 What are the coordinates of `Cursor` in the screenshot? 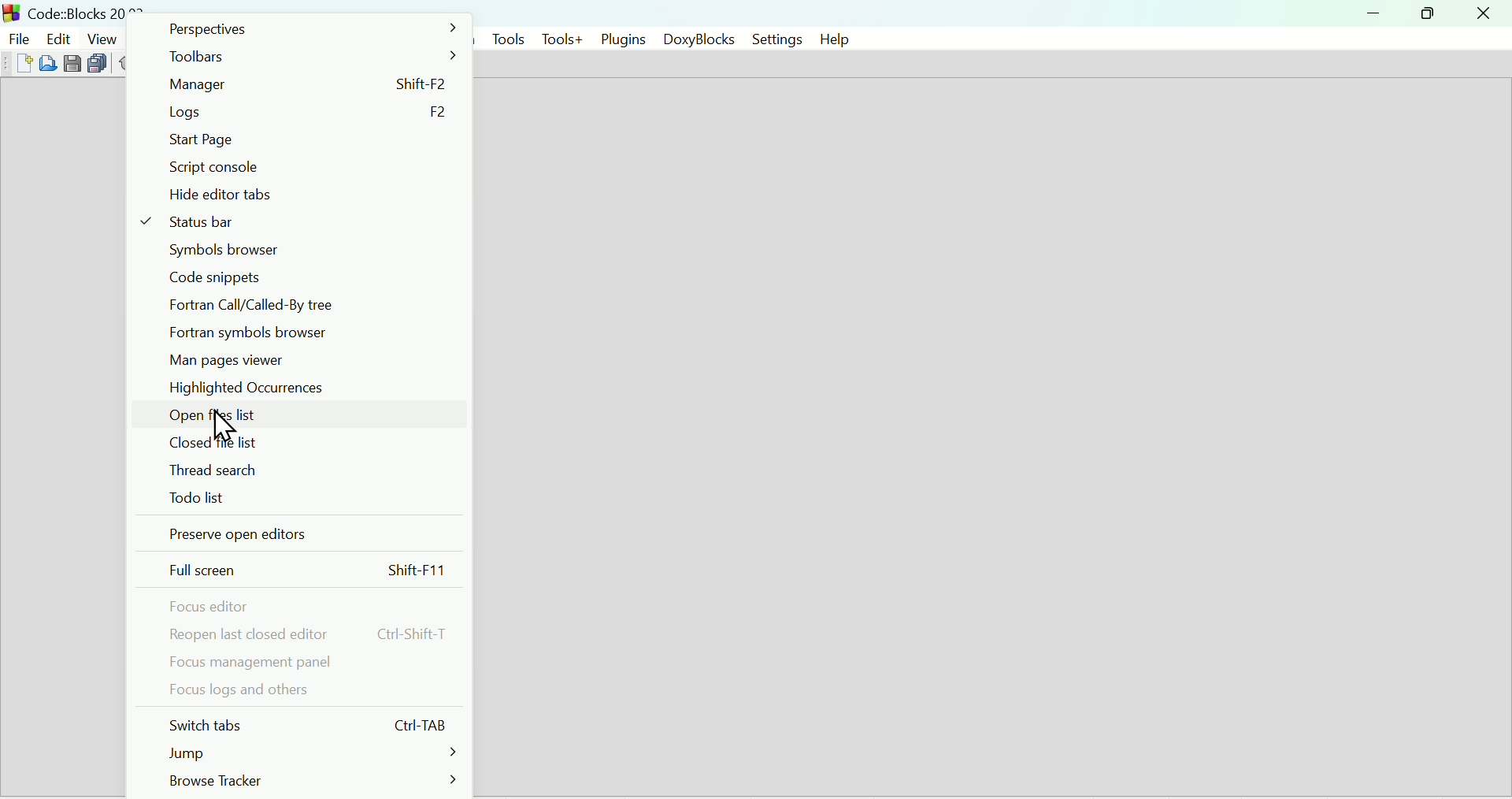 It's located at (220, 427).